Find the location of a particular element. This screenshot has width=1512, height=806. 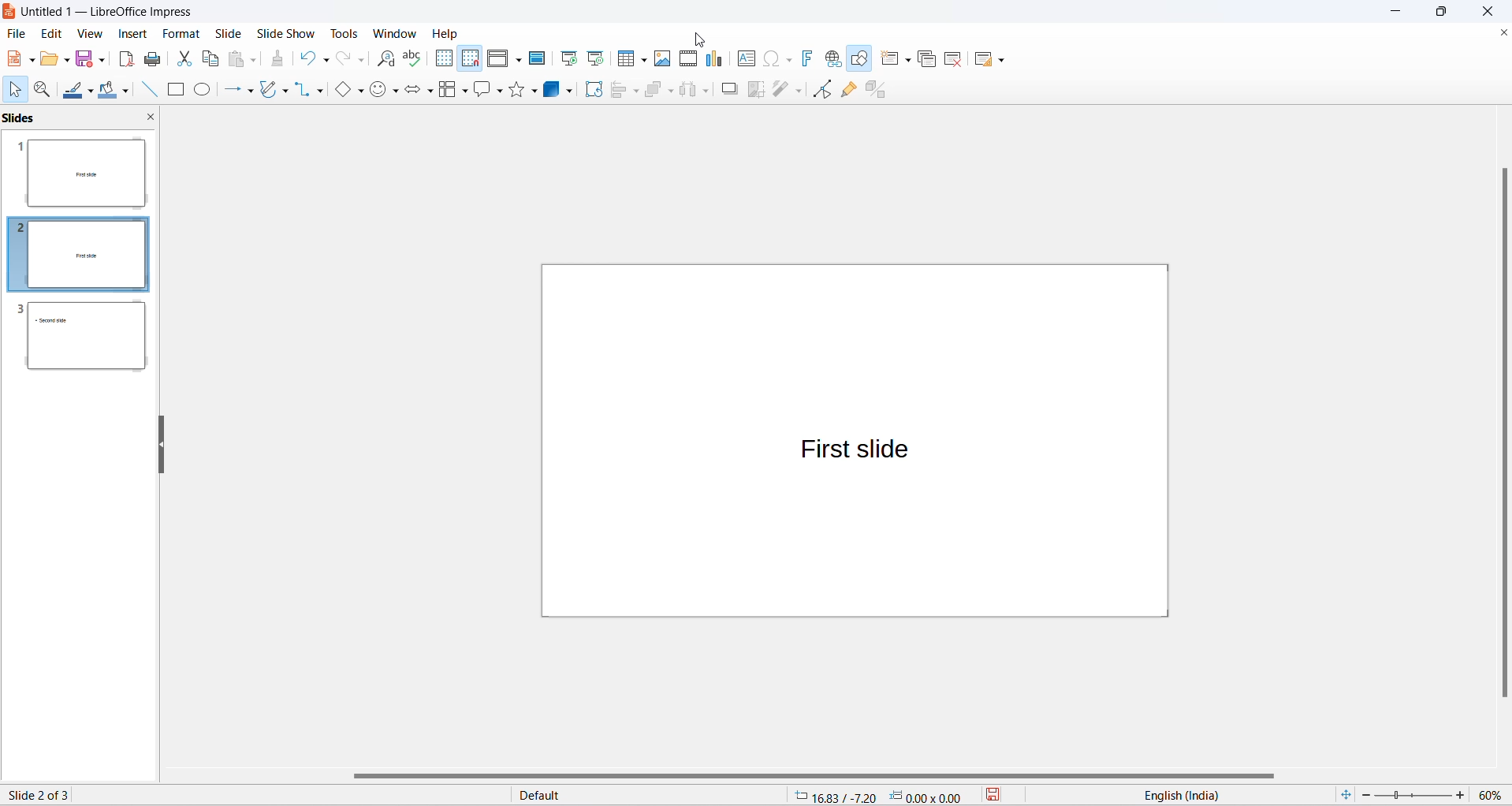

tools is located at coordinates (345, 32).